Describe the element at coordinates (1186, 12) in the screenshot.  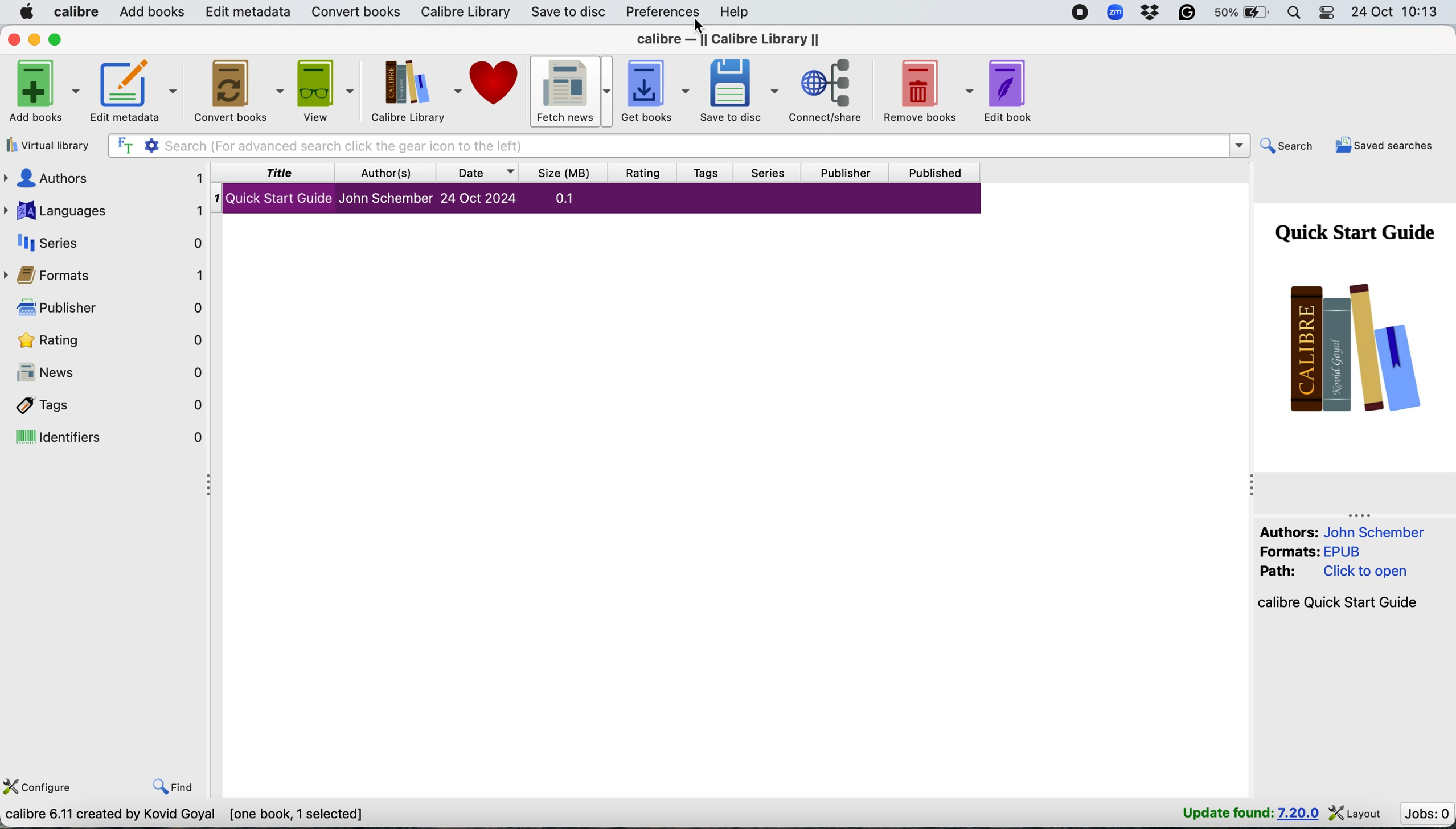
I see `grammarly` at that location.